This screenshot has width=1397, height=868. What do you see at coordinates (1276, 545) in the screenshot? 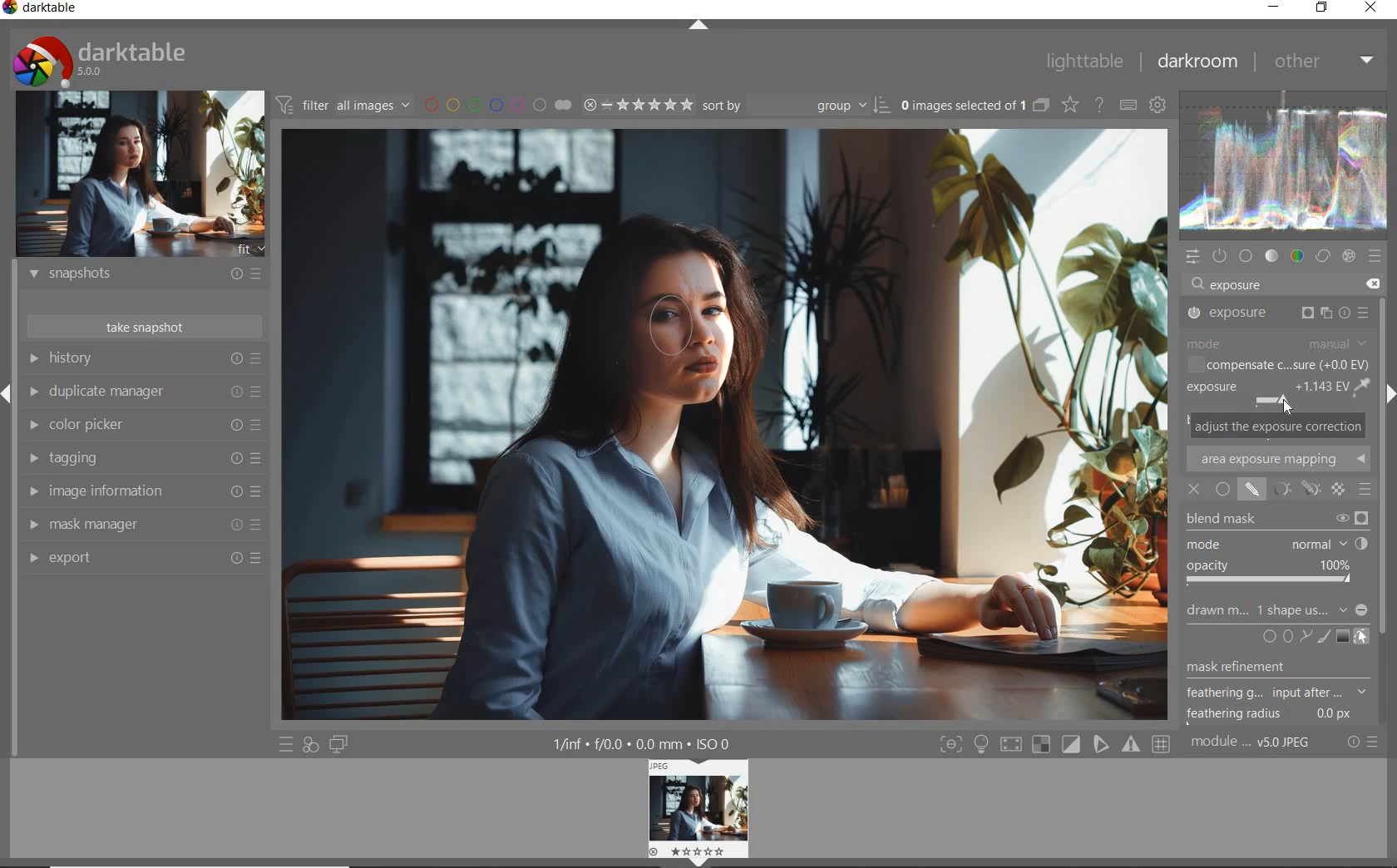
I see `MODE` at bounding box center [1276, 545].